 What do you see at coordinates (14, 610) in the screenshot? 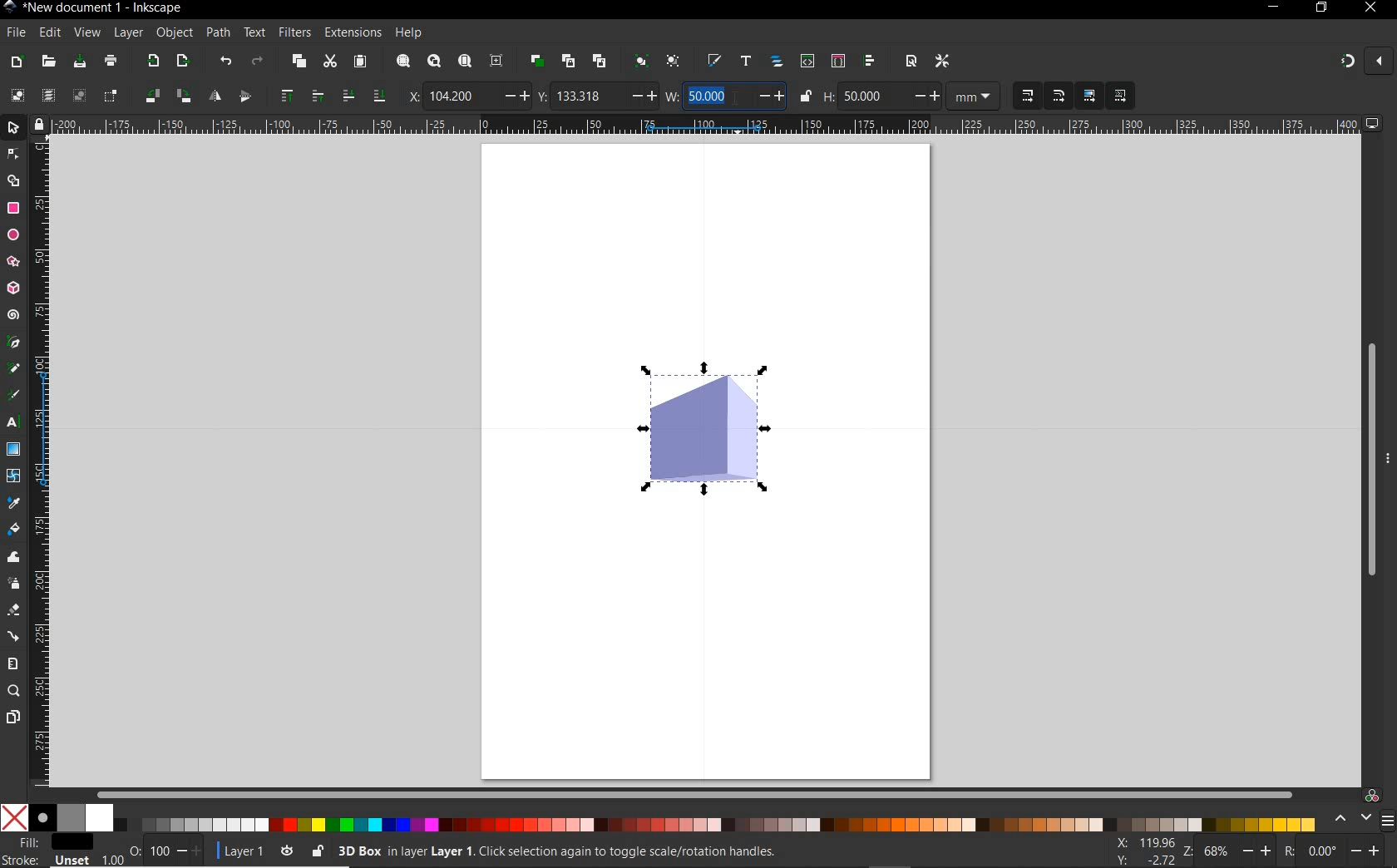
I see `eraser tool` at bounding box center [14, 610].